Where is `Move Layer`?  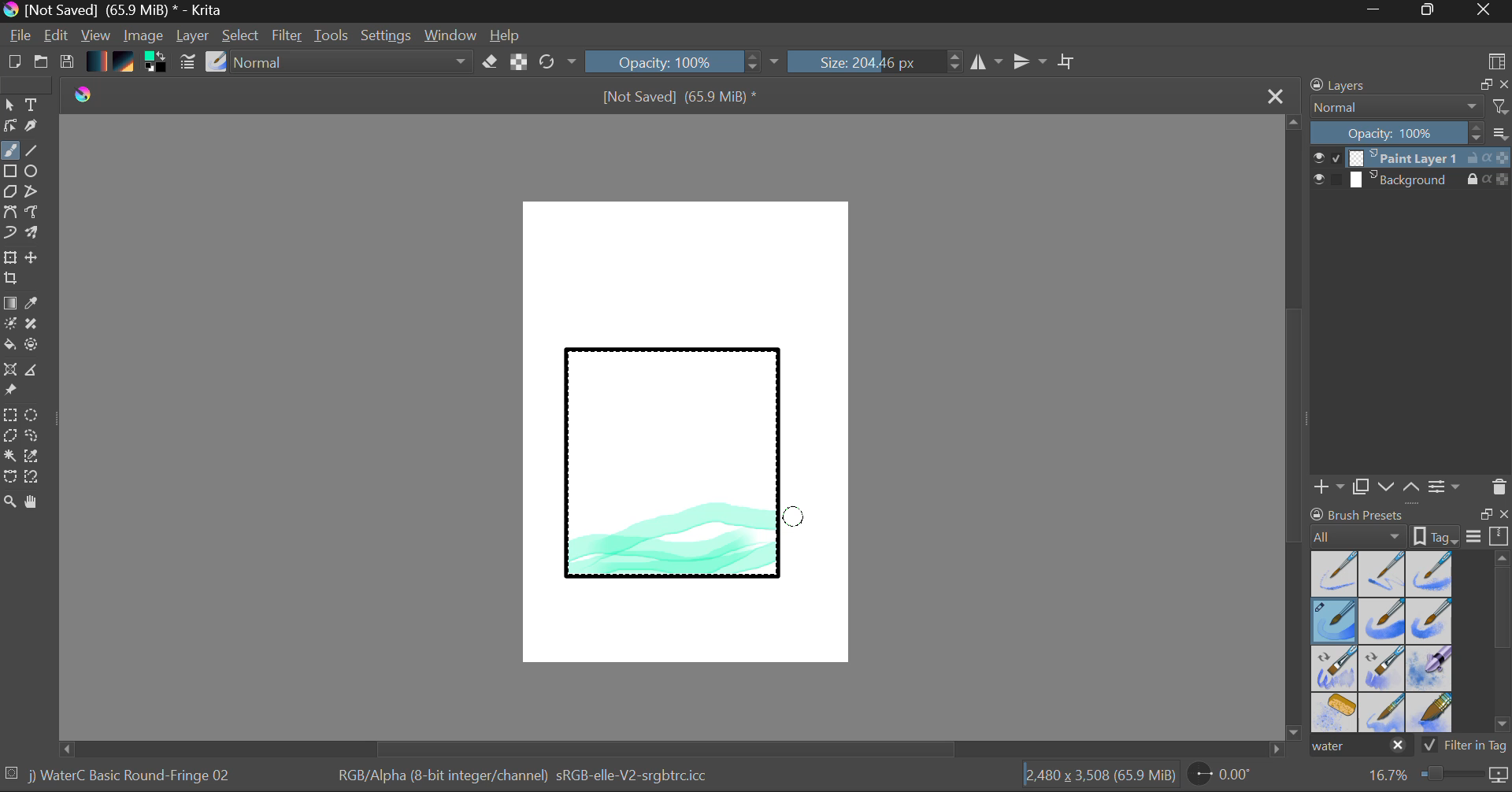
Move Layer is located at coordinates (33, 257).